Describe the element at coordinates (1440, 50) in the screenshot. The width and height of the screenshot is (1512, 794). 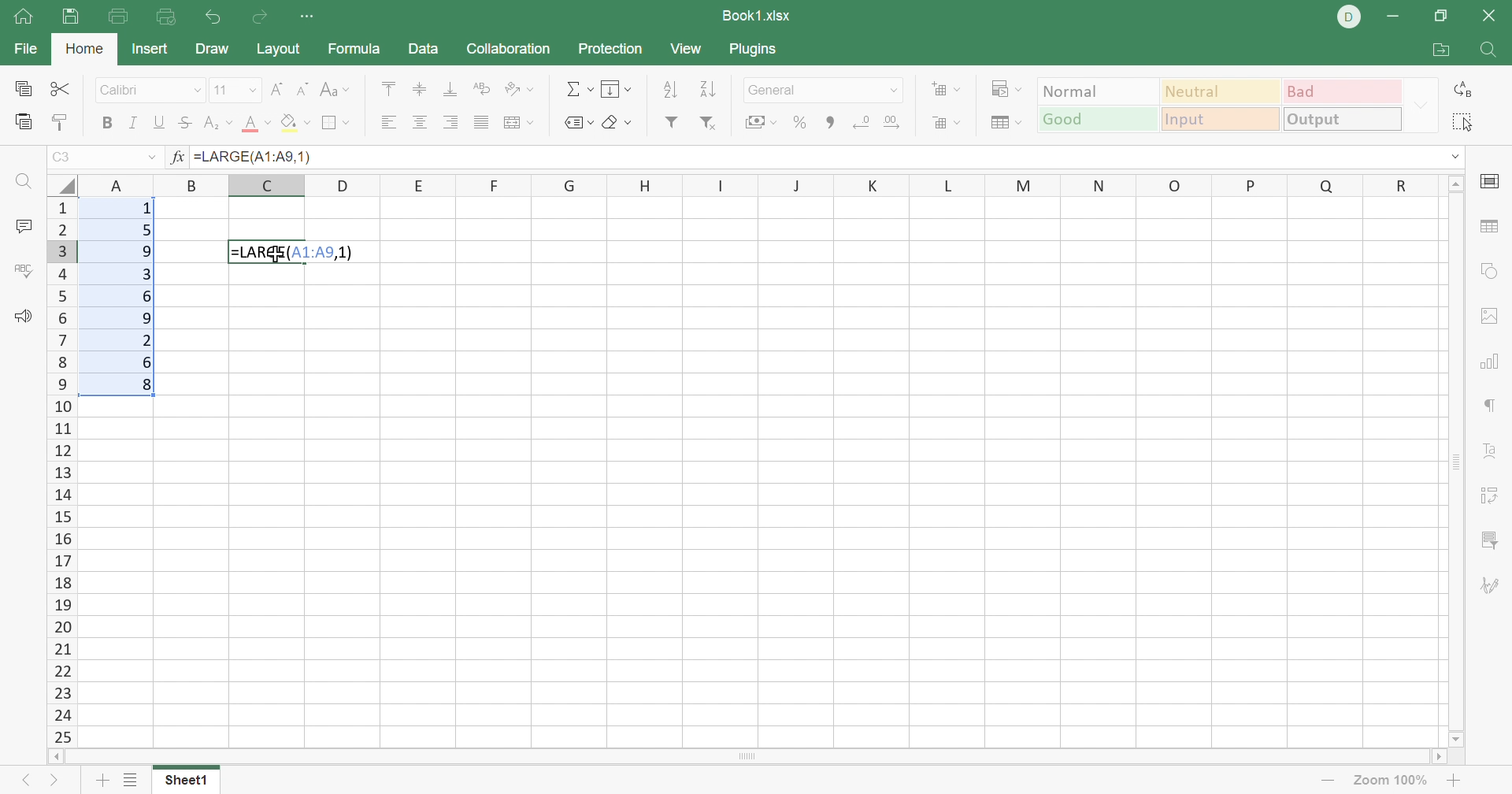
I see `Open file location` at that location.